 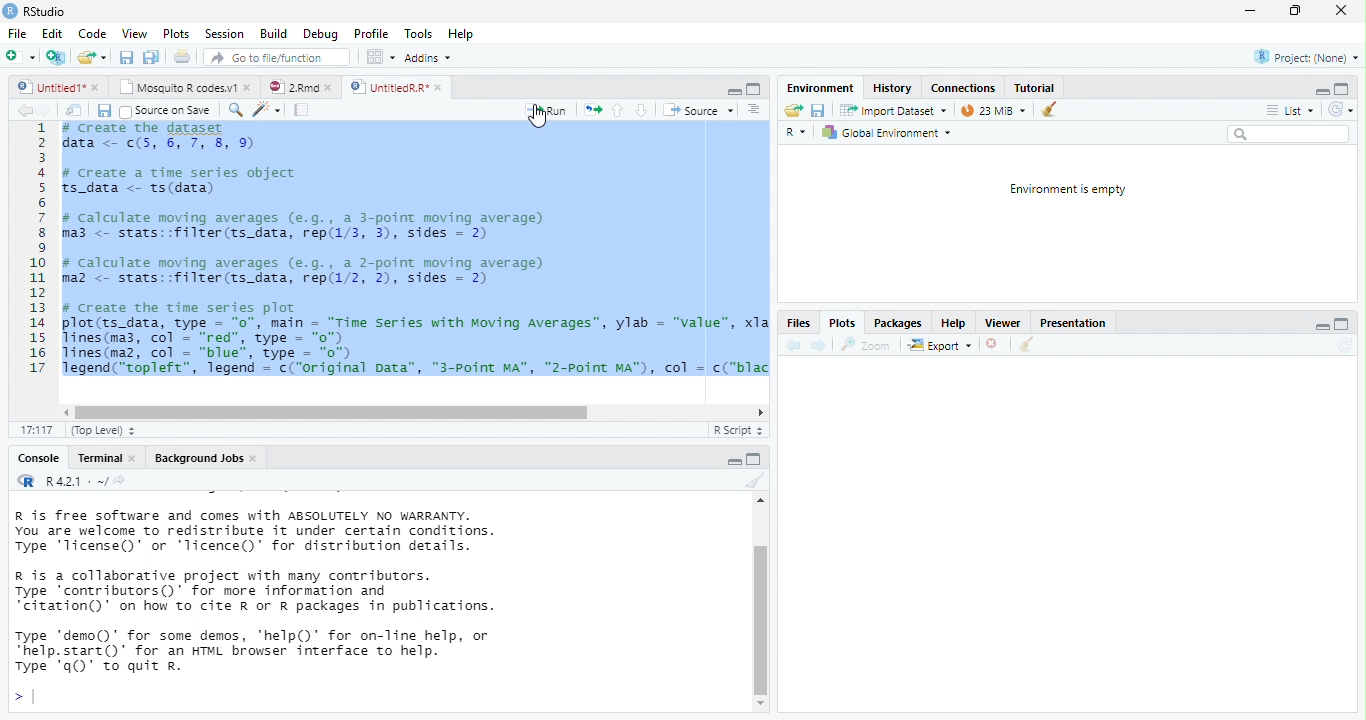 I want to click on re-run the previous code, so click(x=593, y=110).